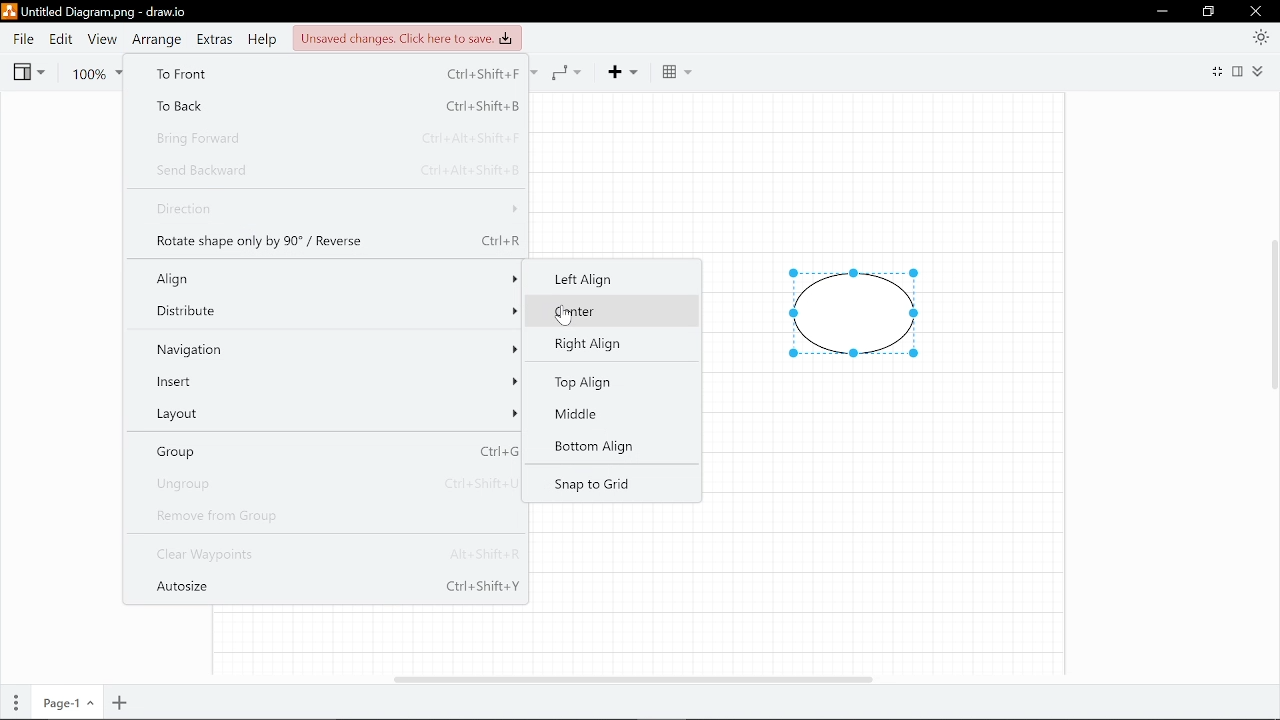  Describe the element at coordinates (592, 485) in the screenshot. I see `Snap to grid` at that location.